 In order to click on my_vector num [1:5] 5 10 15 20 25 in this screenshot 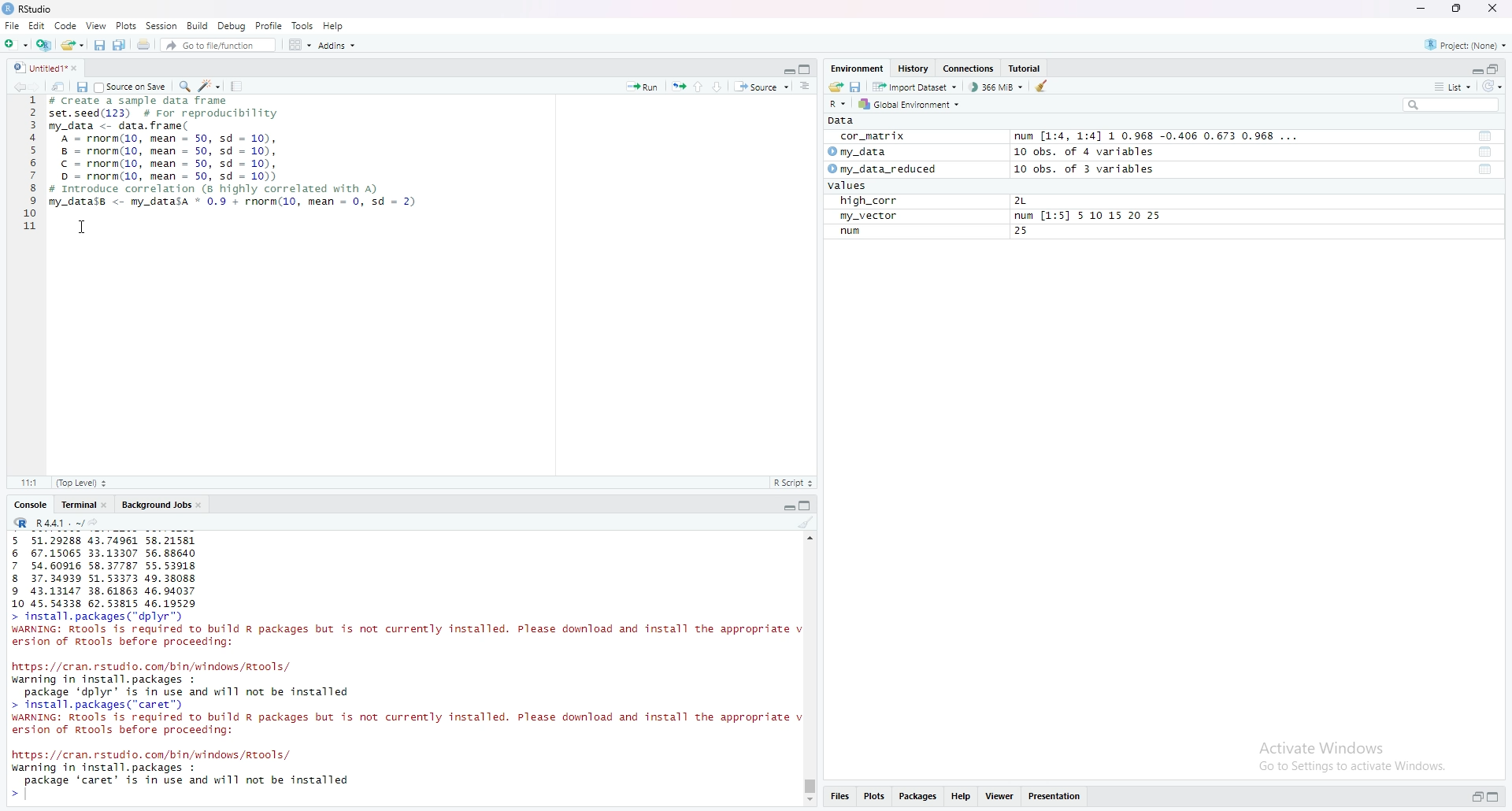, I will do `click(1002, 217)`.